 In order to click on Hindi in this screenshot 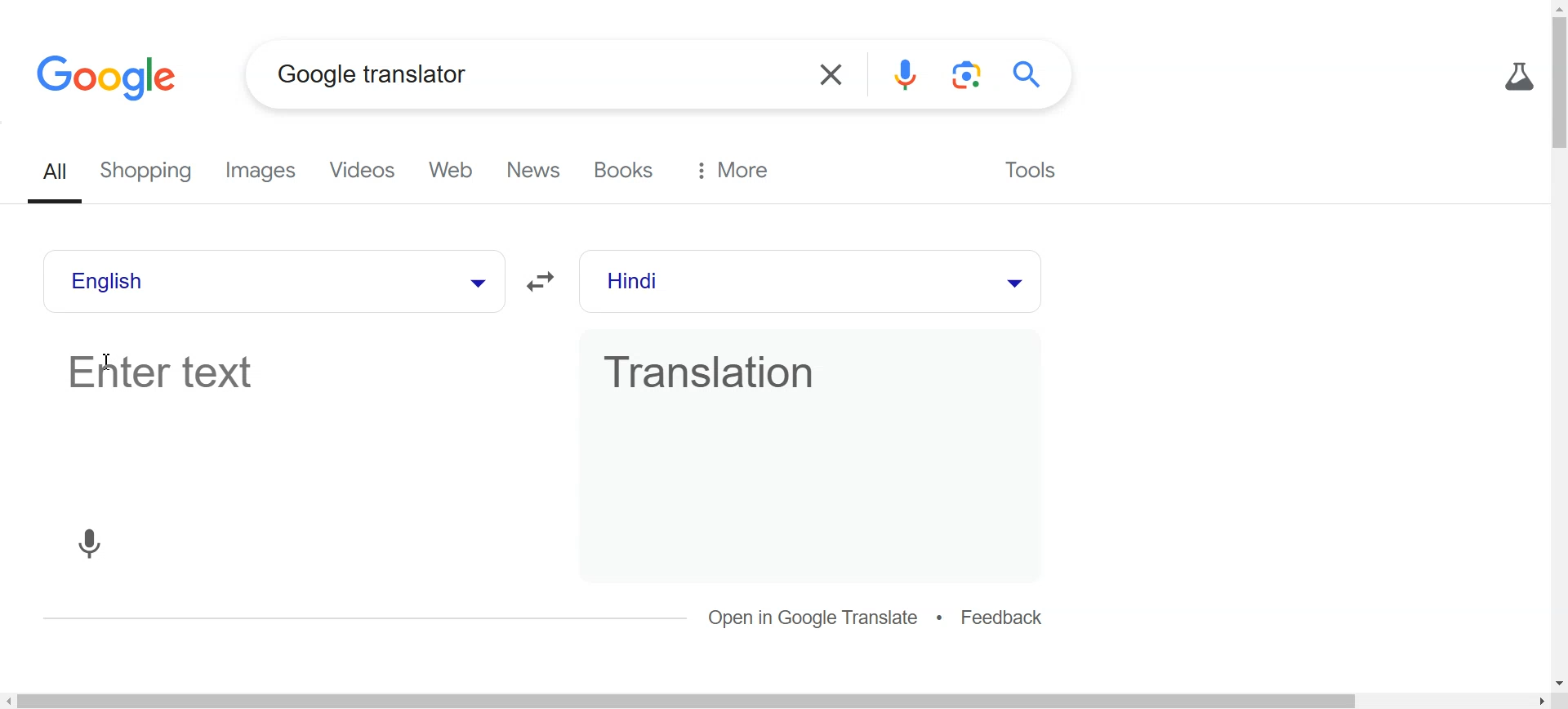, I will do `click(777, 282)`.